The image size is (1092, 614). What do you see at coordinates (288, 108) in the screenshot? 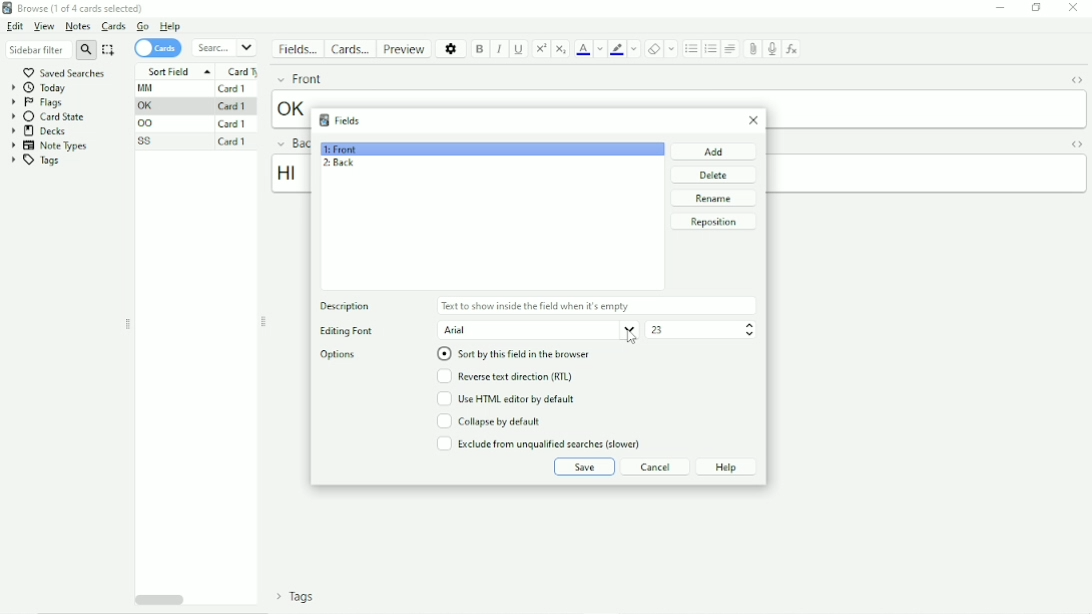
I see `ok` at bounding box center [288, 108].